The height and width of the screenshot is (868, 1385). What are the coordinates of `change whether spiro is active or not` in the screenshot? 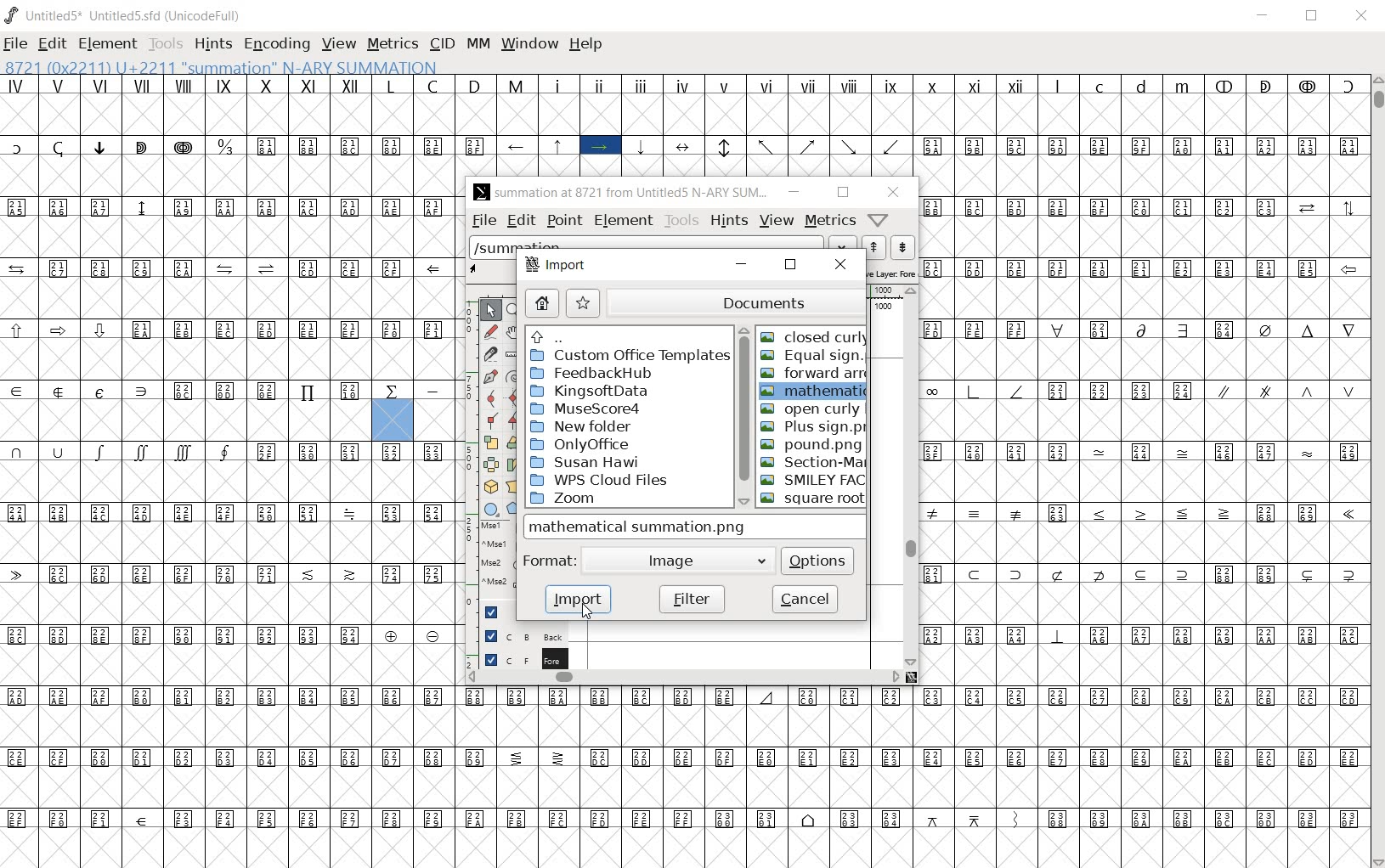 It's located at (514, 375).